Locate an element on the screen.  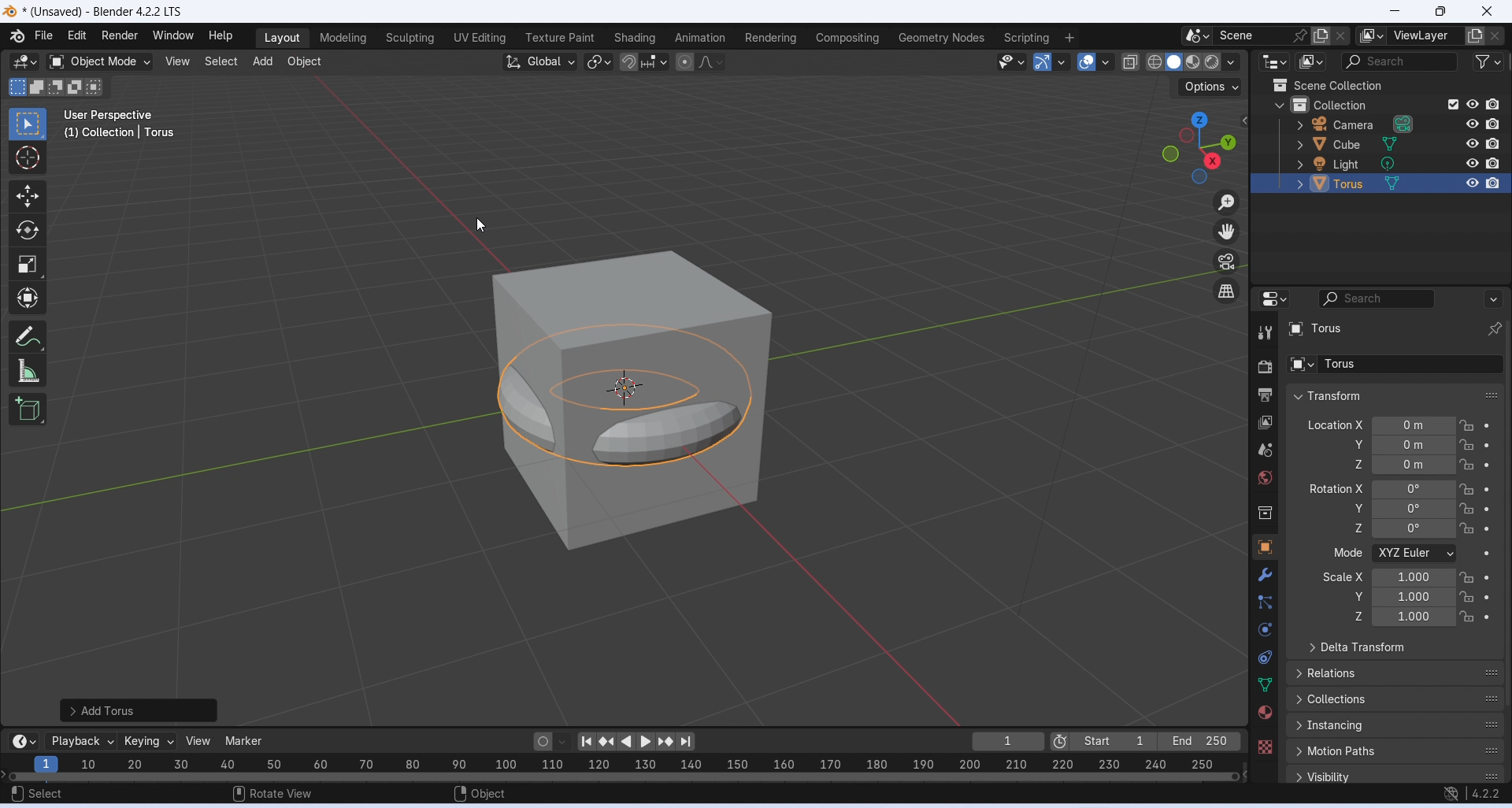
Select is located at coordinates (220, 61).